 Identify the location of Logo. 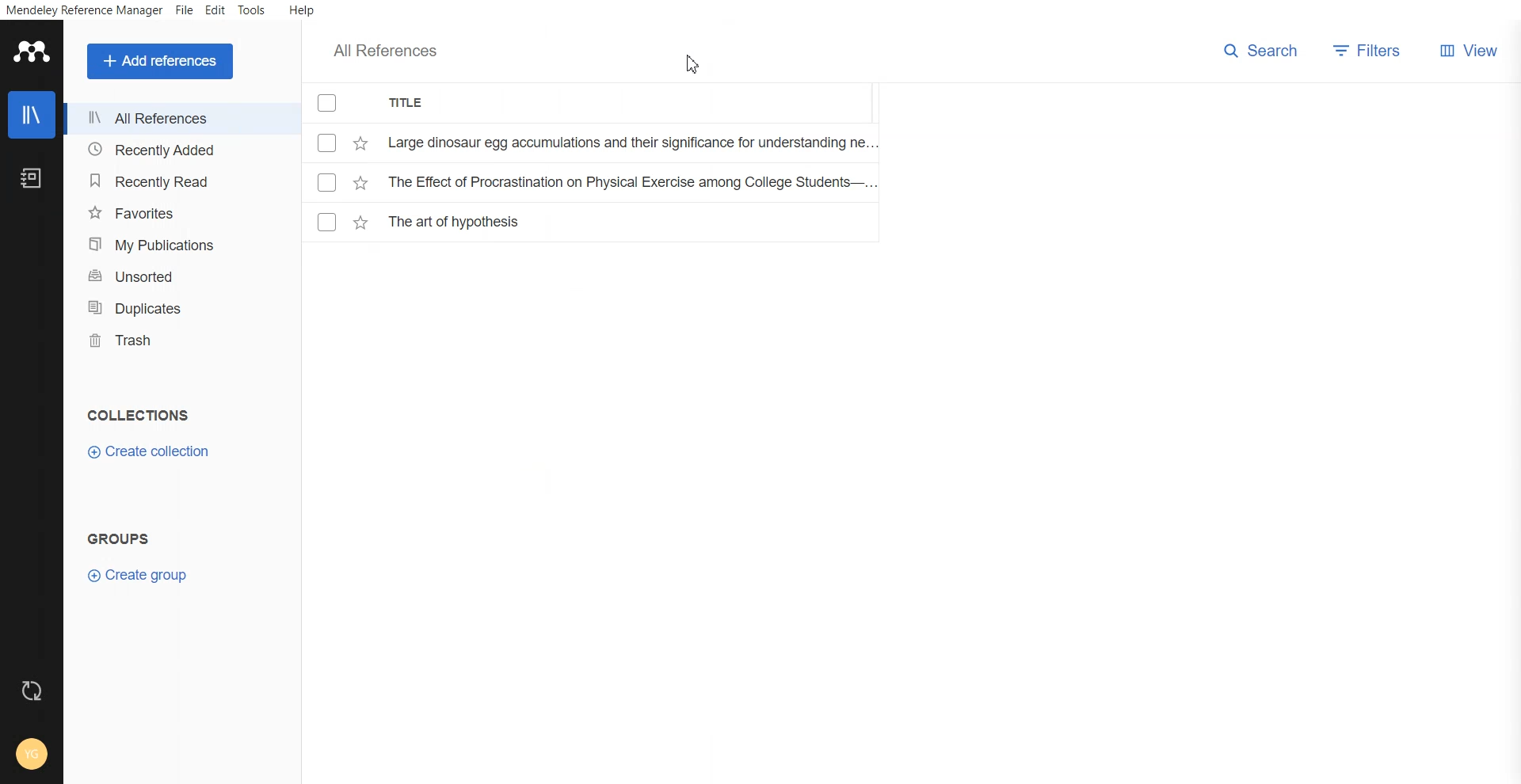
(31, 53).